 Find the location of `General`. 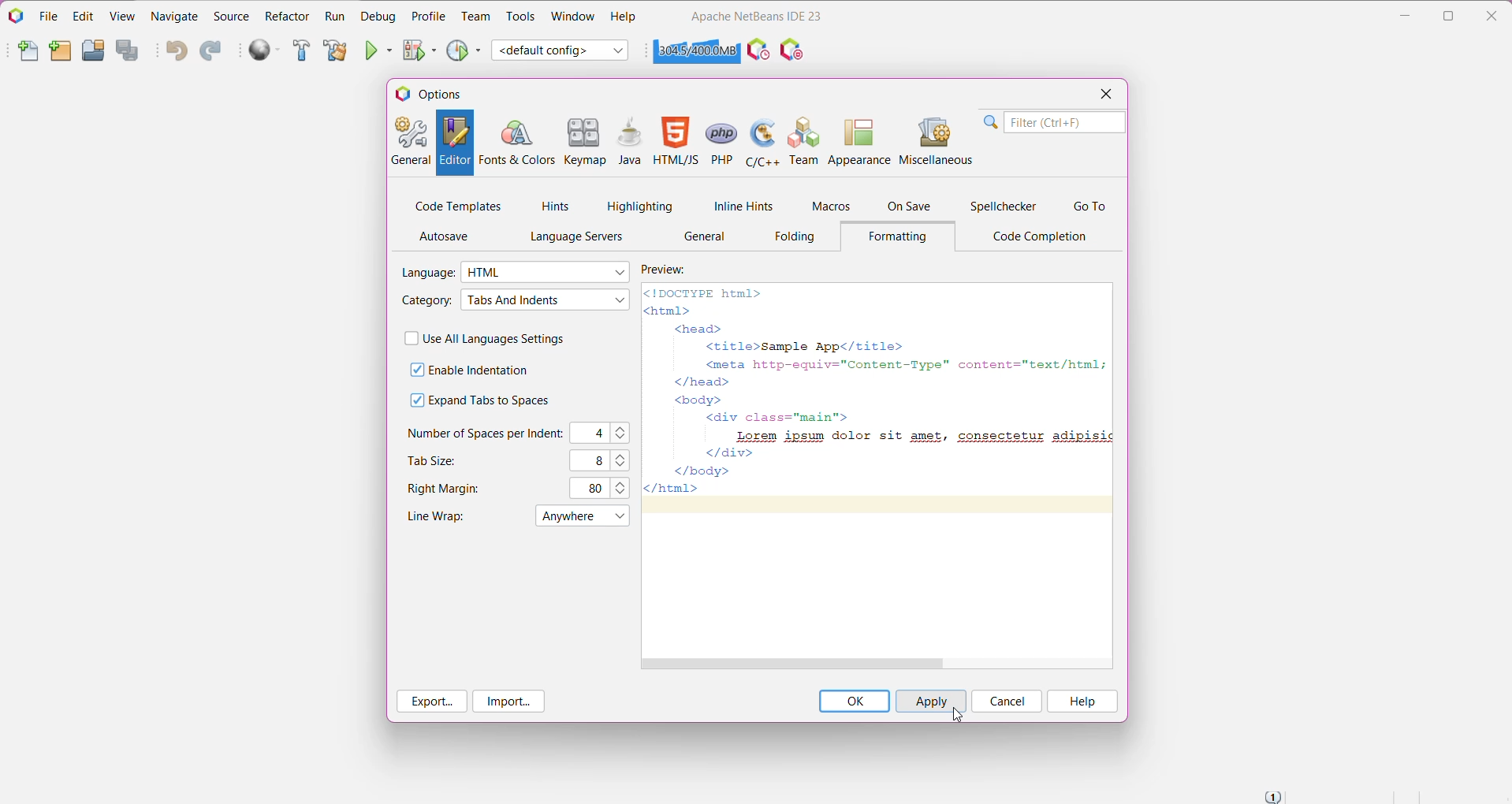

General is located at coordinates (706, 238).